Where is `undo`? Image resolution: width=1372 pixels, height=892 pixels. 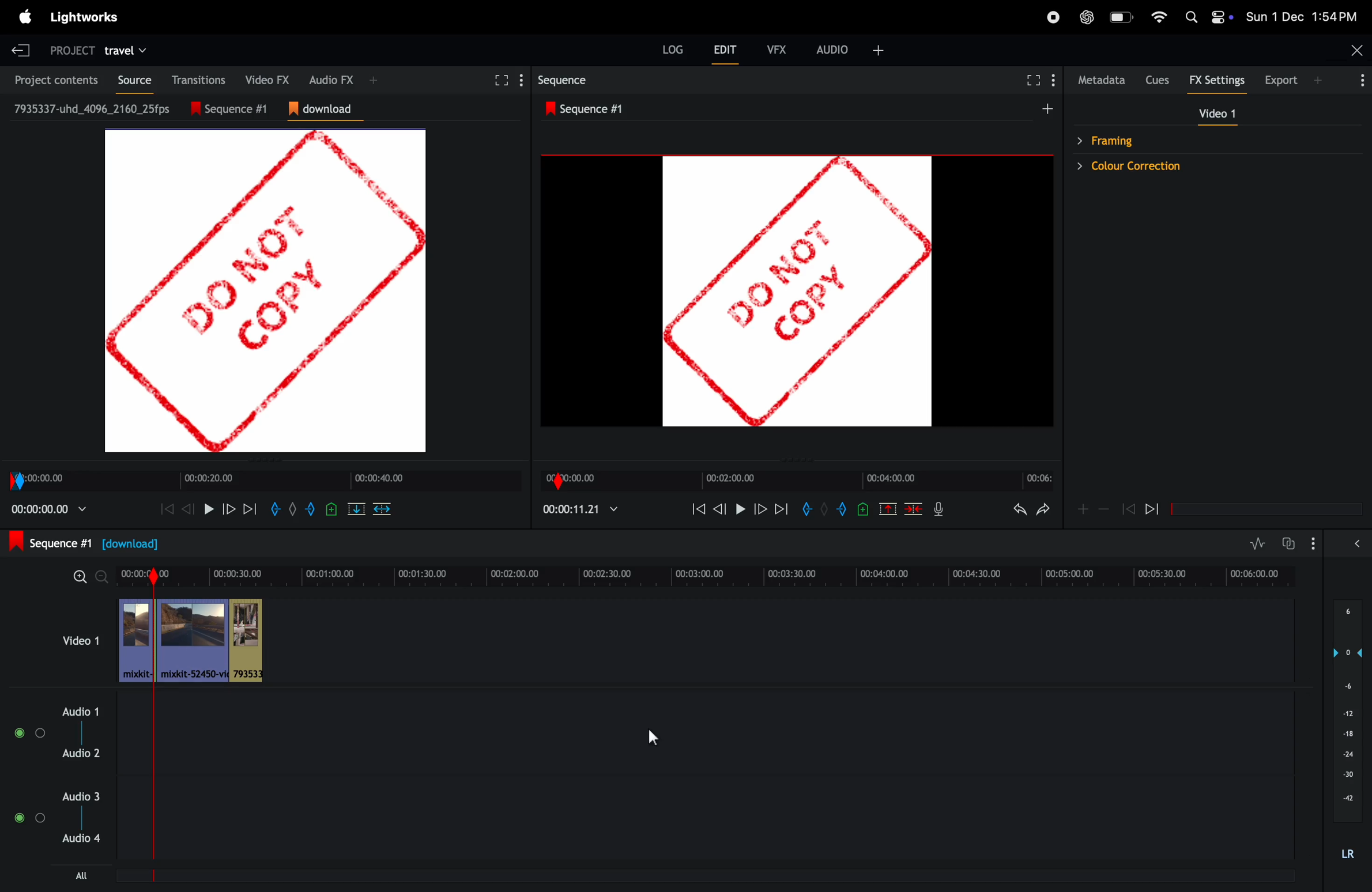
undo is located at coordinates (1020, 509).